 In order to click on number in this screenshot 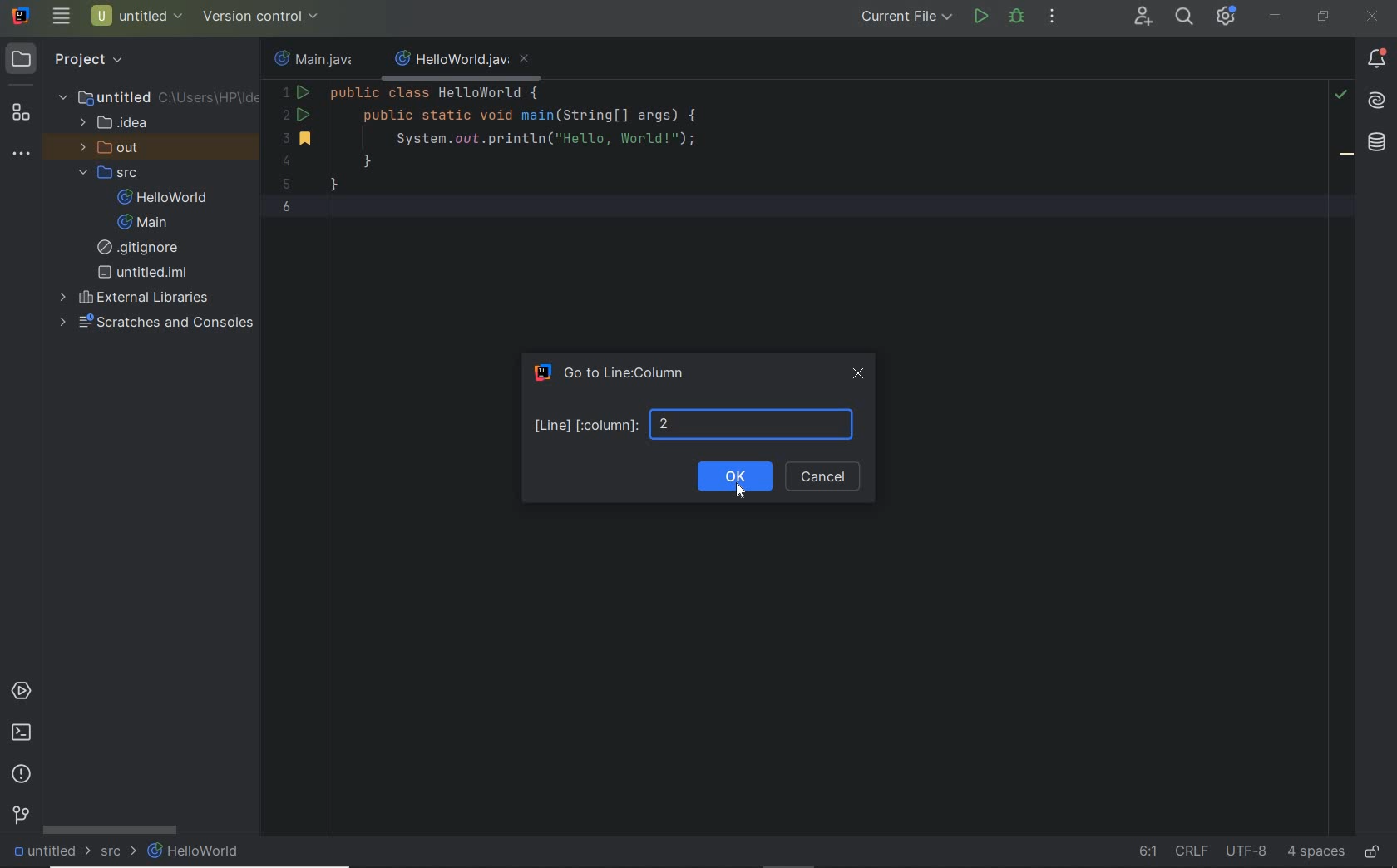, I will do `click(665, 426)`.